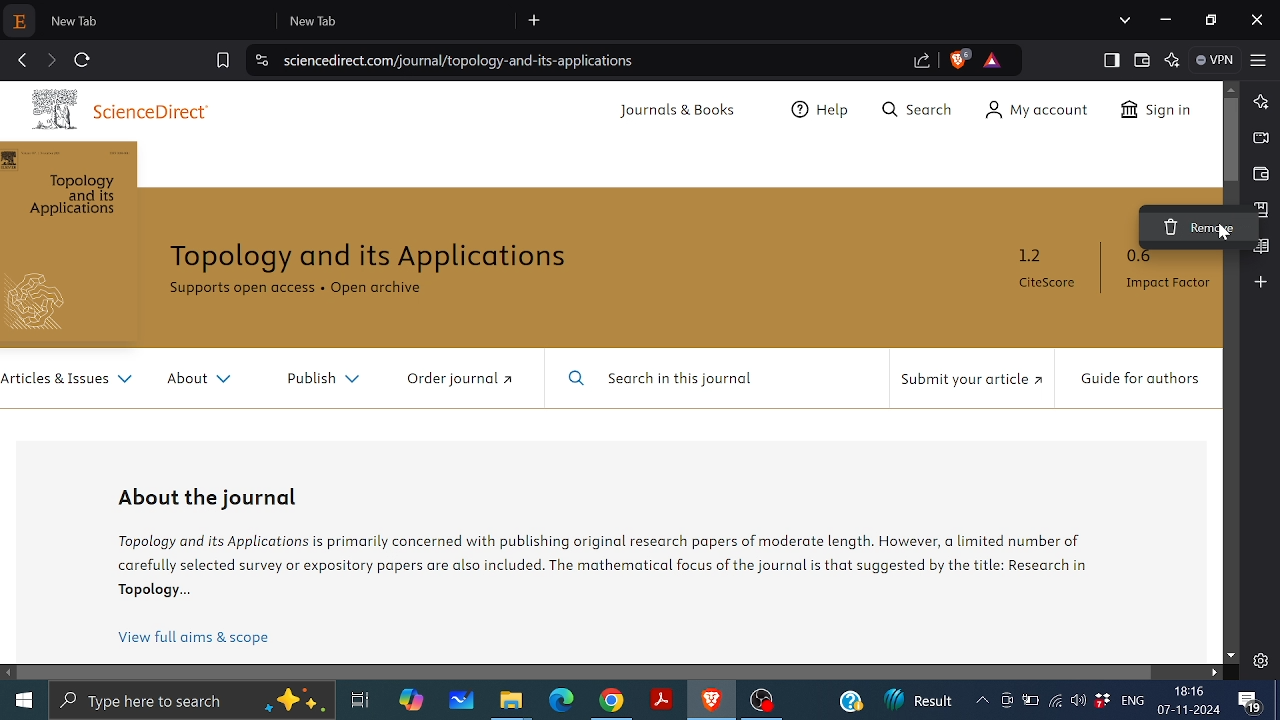 The height and width of the screenshot is (720, 1280). Describe the element at coordinates (1133, 701) in the screenshot. I see `` at that location.